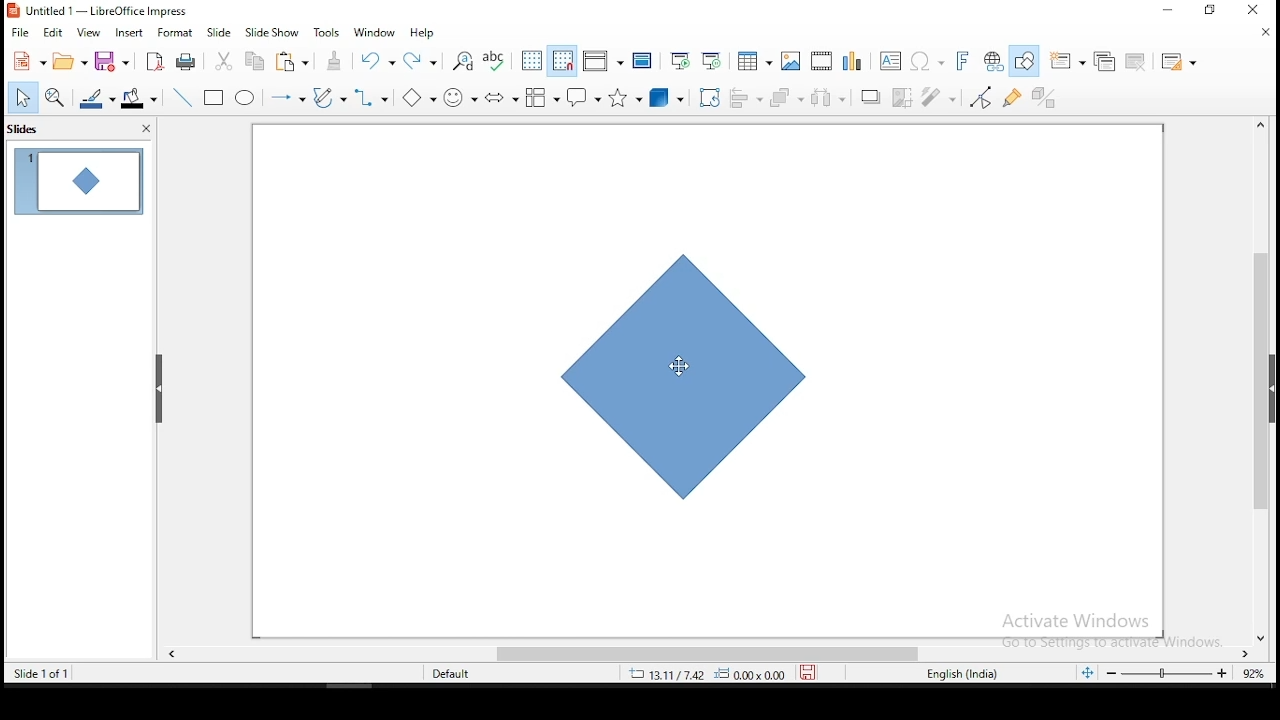 The image size is (1280, 720). Describe the element at coordinates (373, 99) in the screenshot. I see `connectors` at that location.